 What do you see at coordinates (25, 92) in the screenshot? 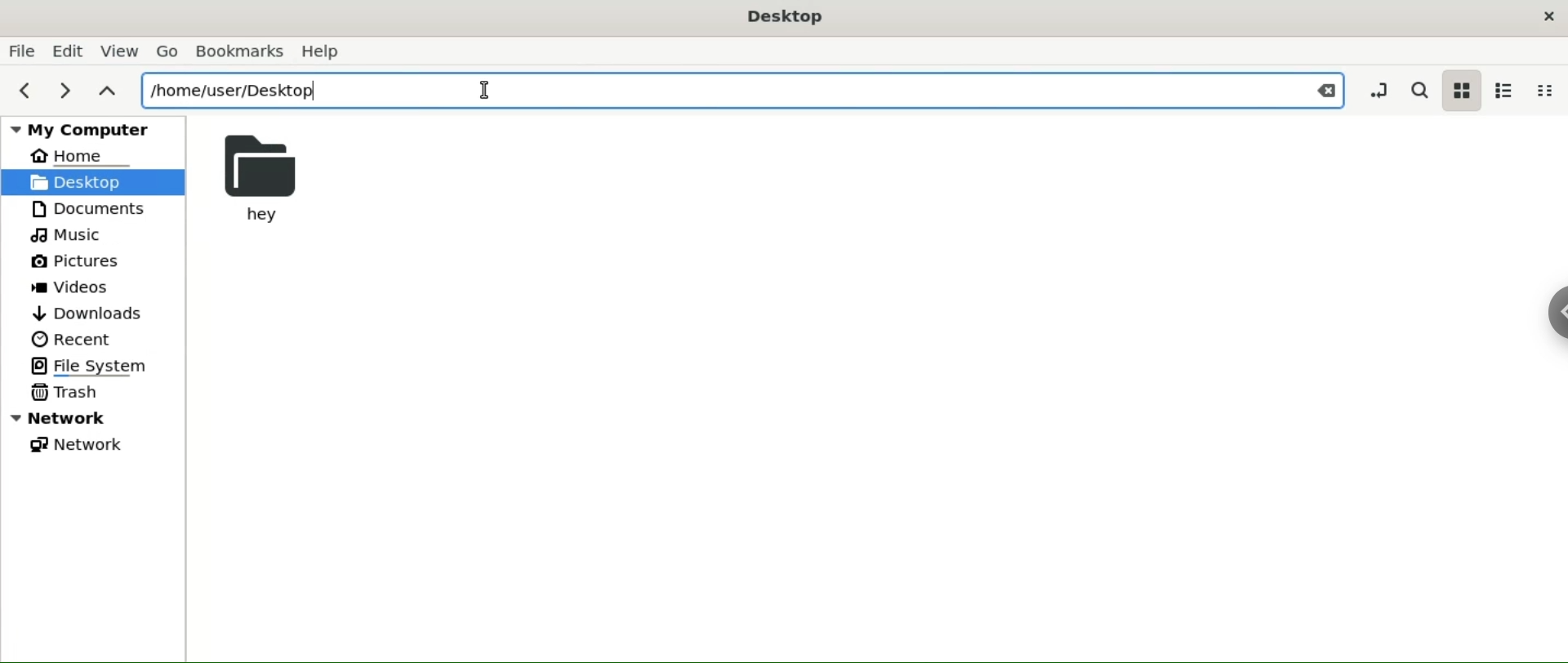
I see `previous` at bounding box center [25, 92].